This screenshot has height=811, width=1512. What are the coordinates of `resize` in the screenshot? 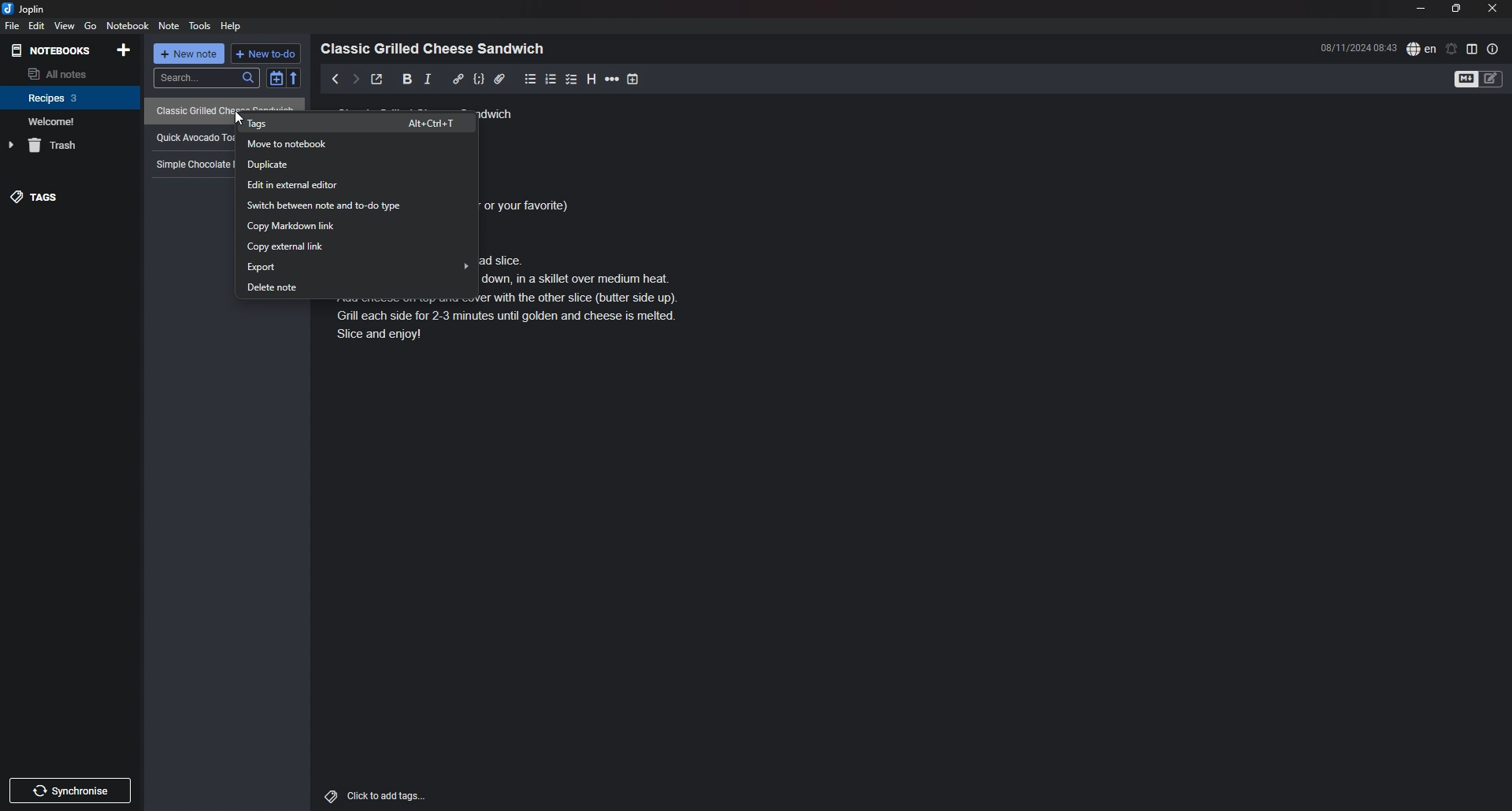 It's located at (1456, 9).